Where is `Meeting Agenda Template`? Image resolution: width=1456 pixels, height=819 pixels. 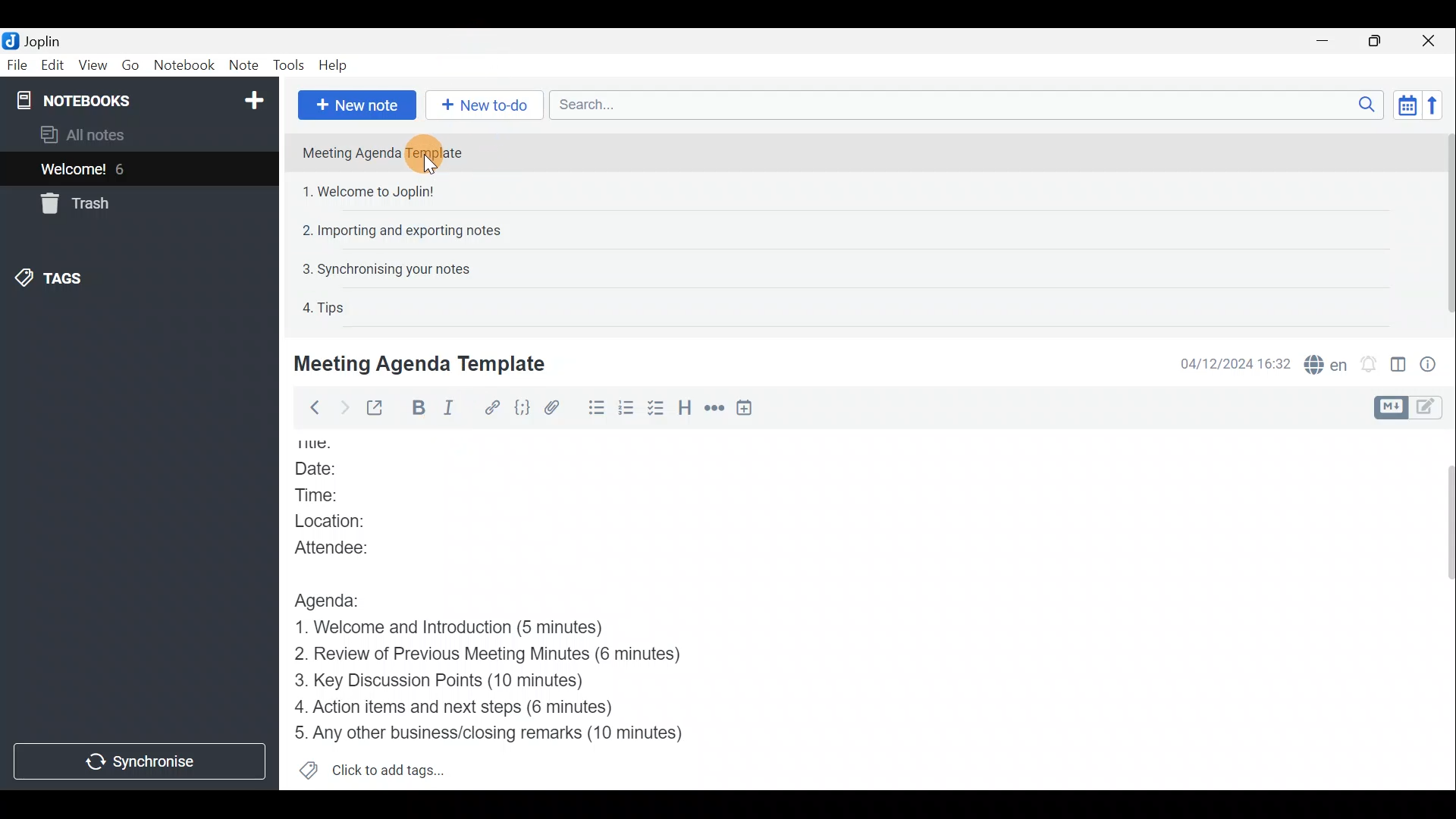
Meeting Agenda Template is located at coordinates (388, 152).